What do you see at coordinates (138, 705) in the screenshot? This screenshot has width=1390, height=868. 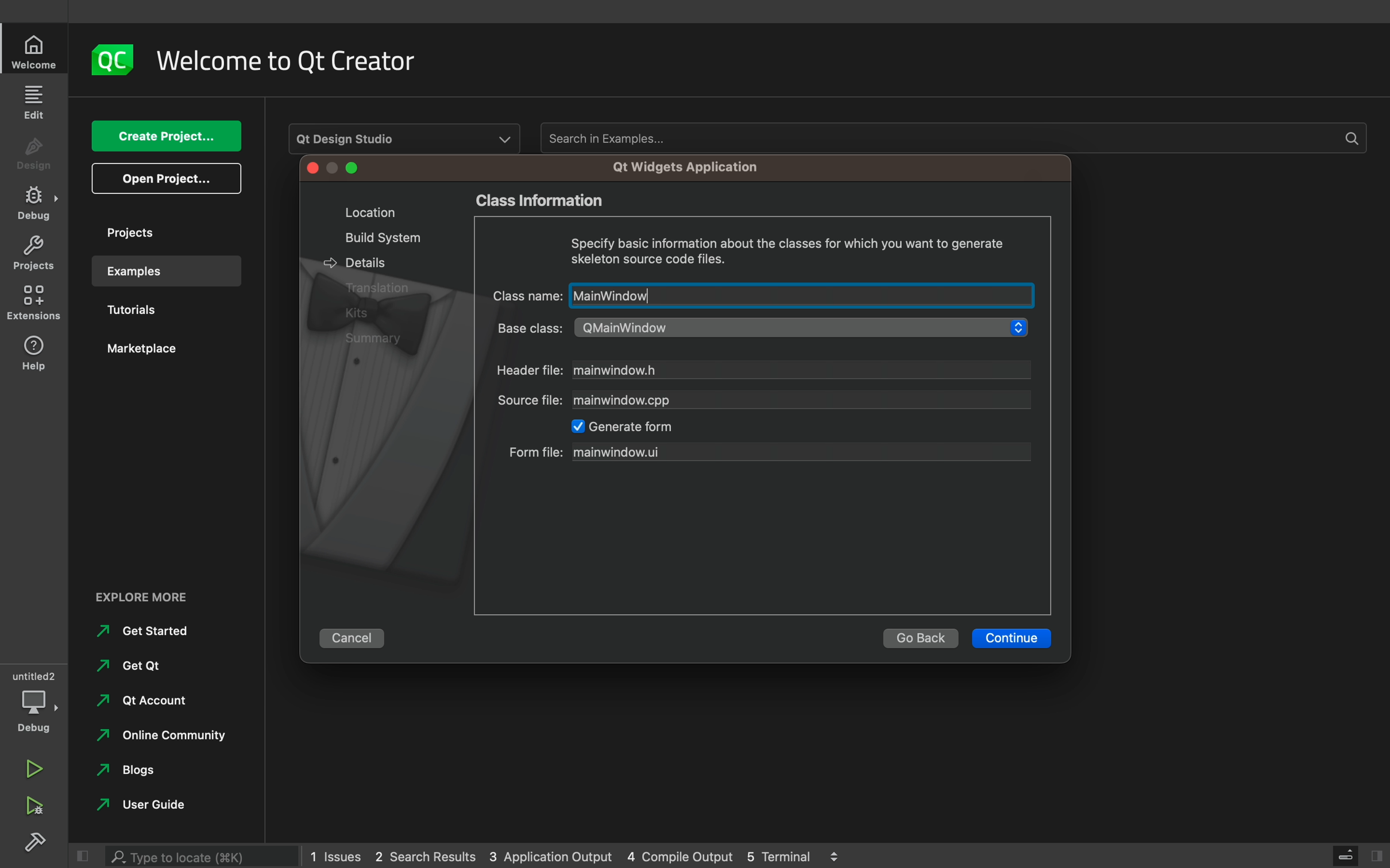 I see `Qt account` at bounding box center [138, 705].